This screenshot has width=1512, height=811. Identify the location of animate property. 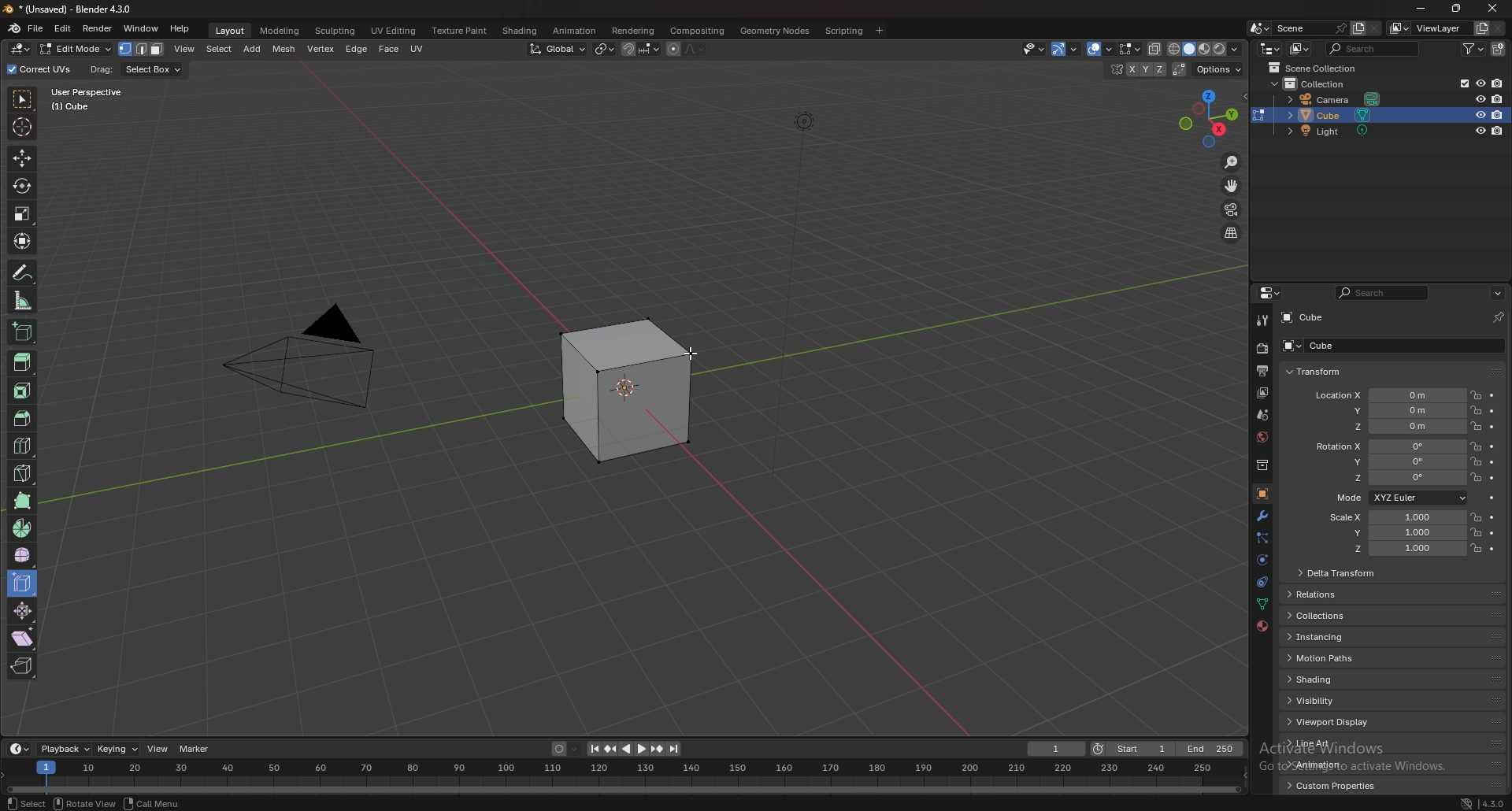
(1491, 497).